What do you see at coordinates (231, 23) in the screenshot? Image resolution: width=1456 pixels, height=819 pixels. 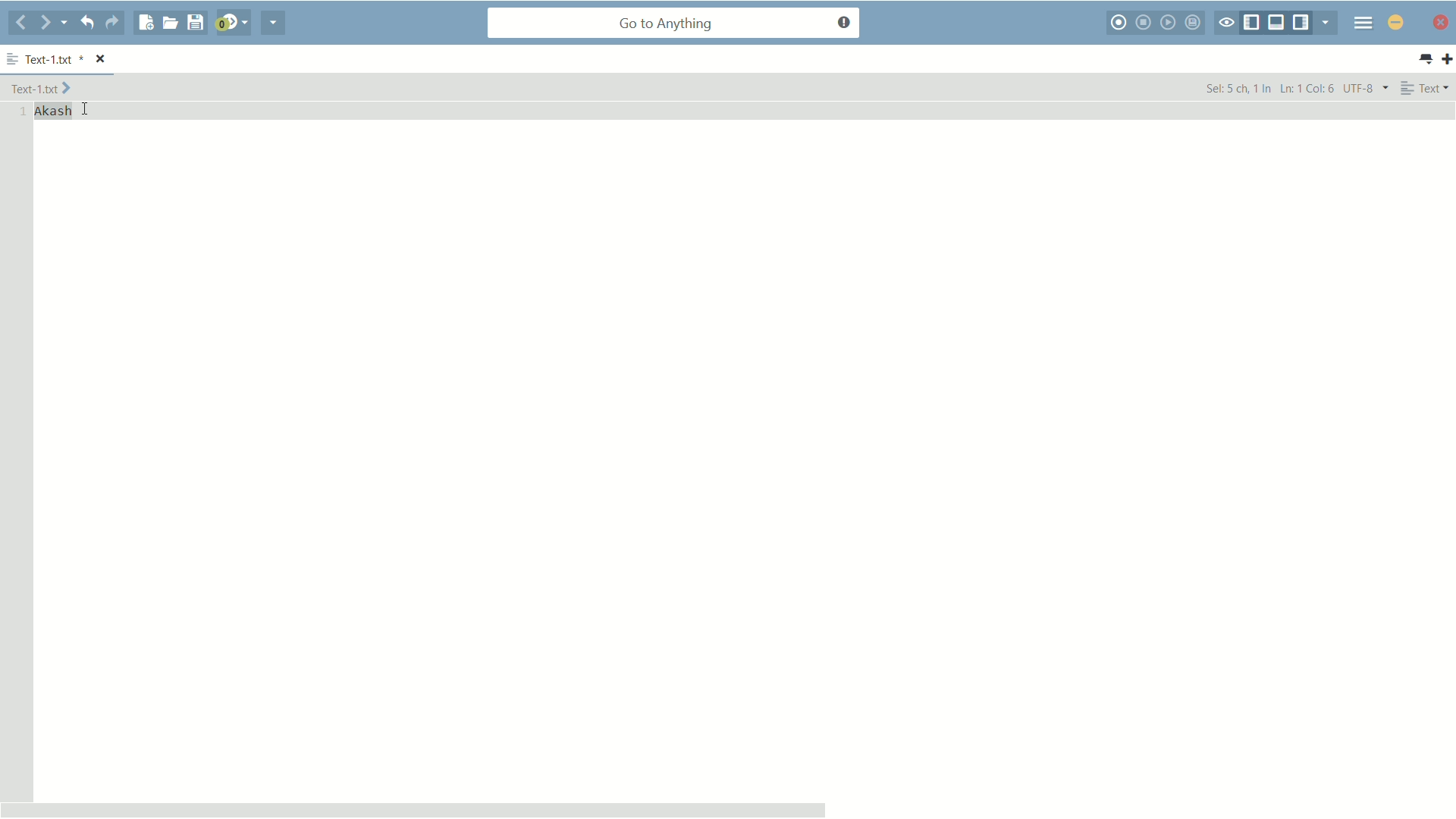 I see `jump to next syntax checking result` at bounding box center [231, 23].